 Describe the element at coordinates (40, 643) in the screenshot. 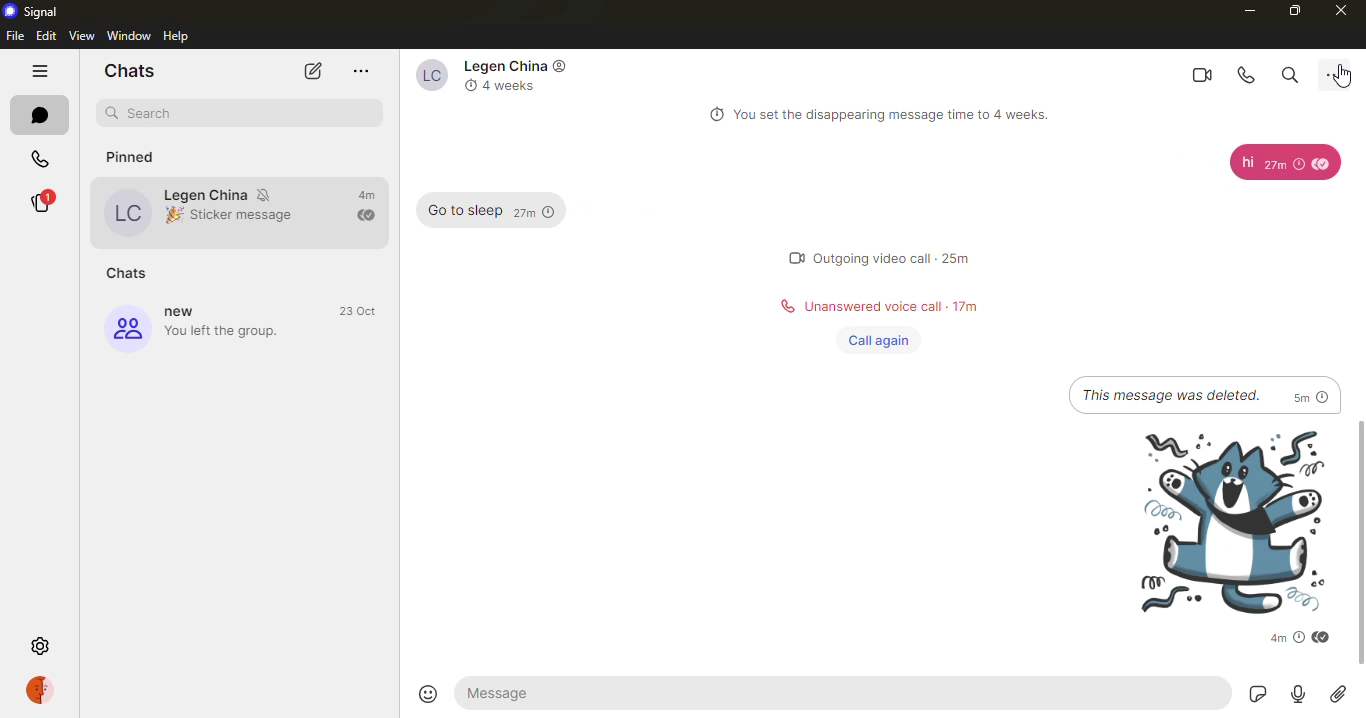

I see `settings` at that location.